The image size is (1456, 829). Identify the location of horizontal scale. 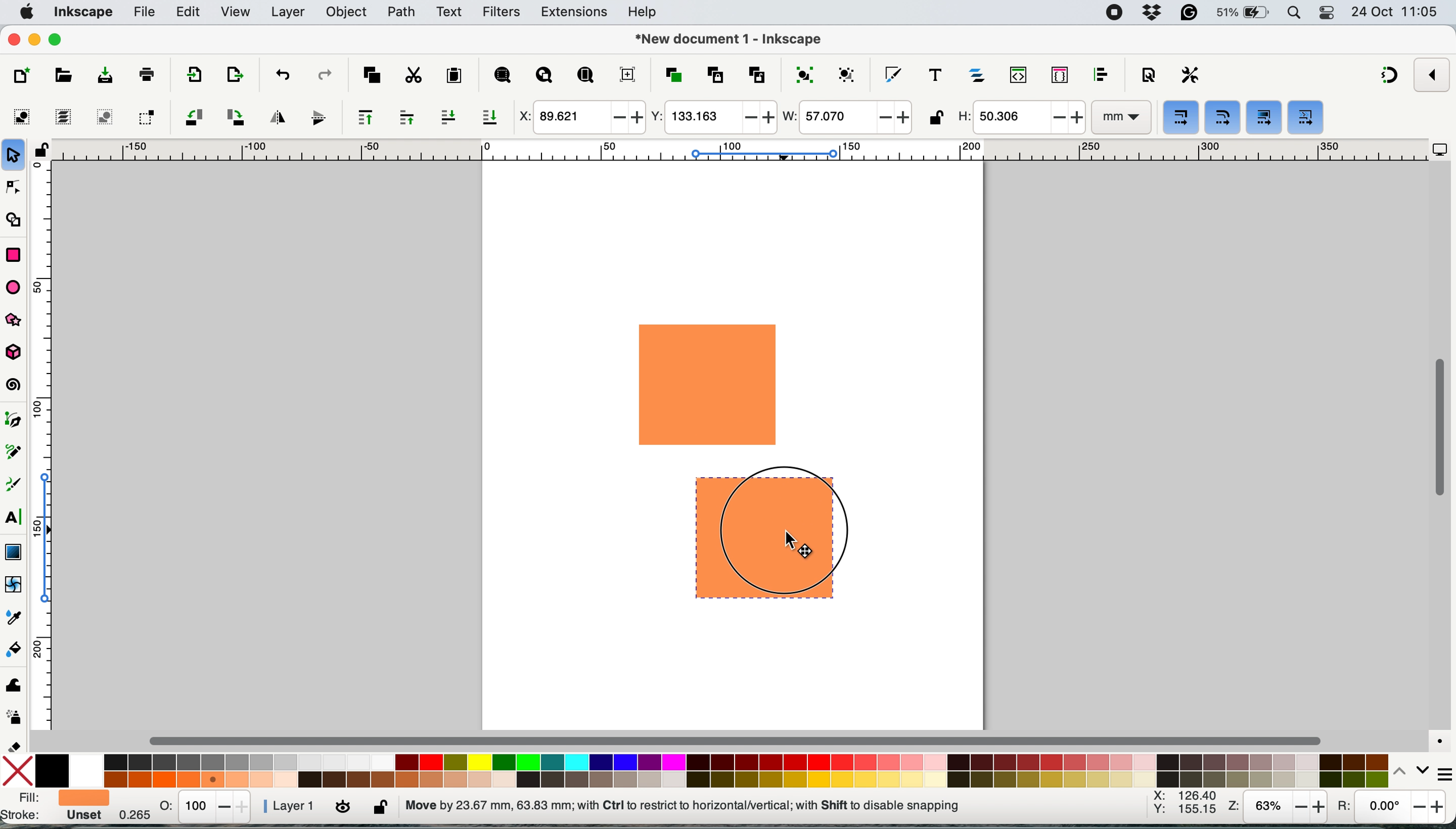
(739, 153).